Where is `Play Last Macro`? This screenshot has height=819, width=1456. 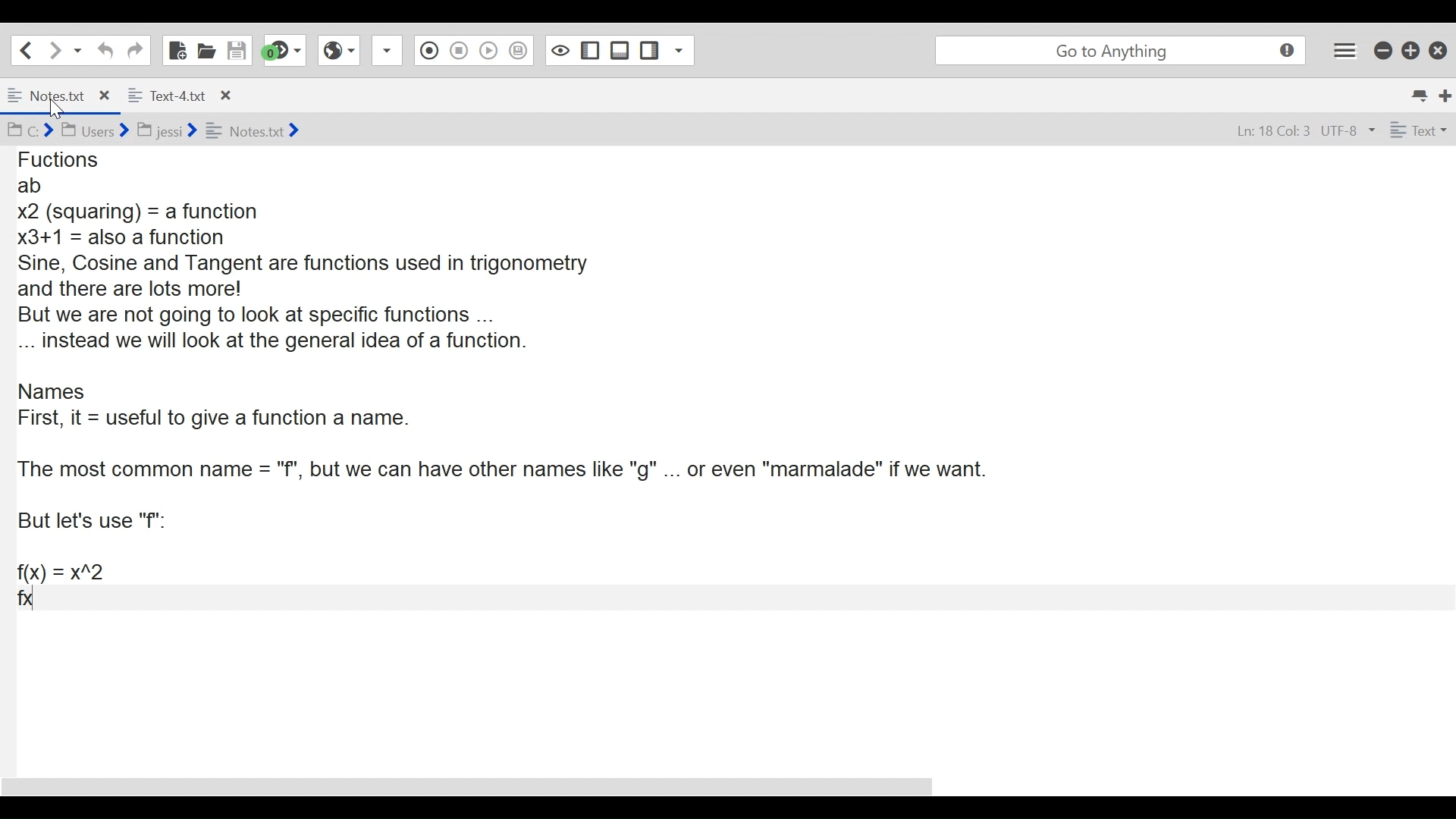
Play Last Macro is located at coordinates (489, 52).